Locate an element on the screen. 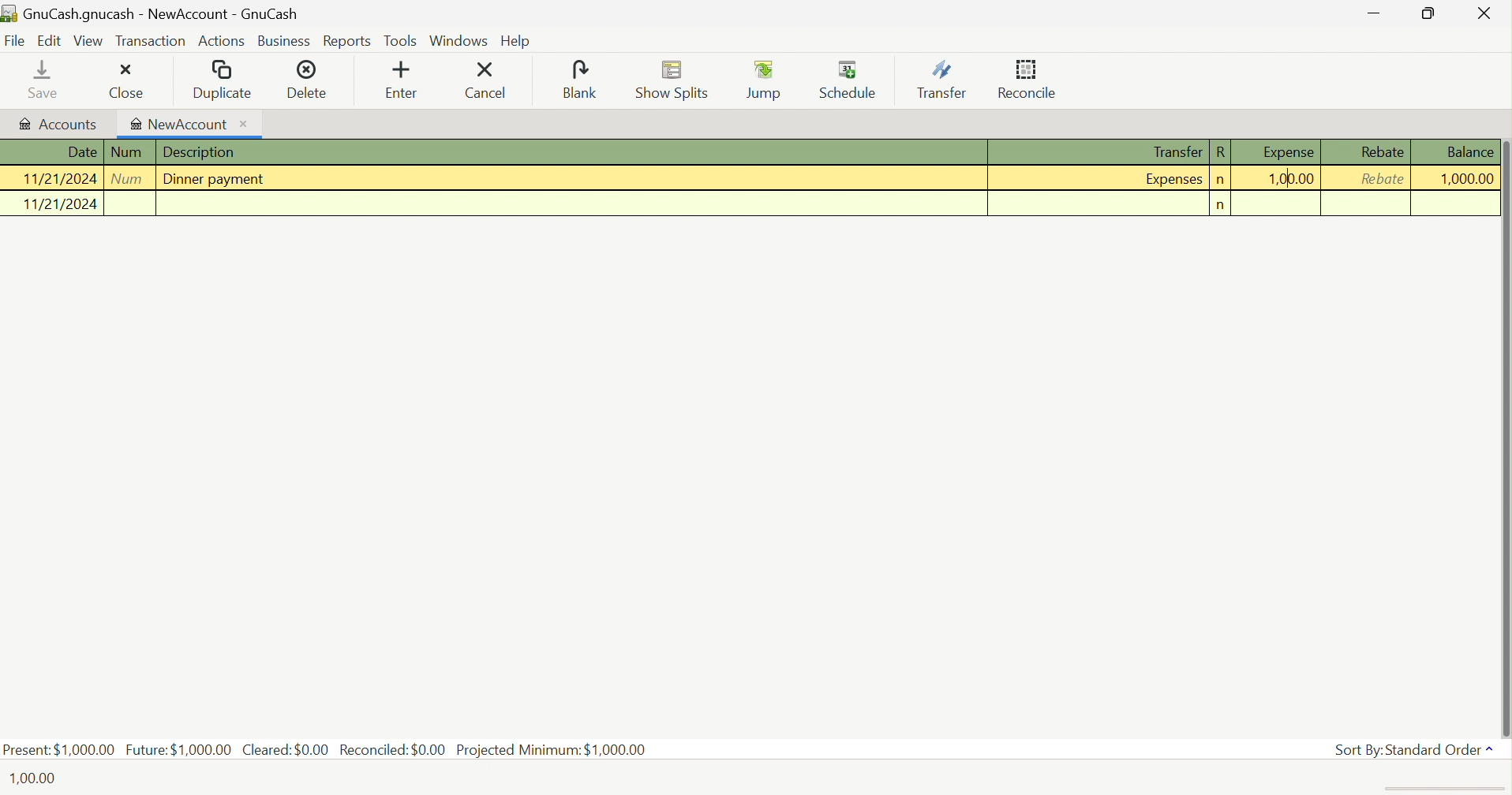 The image size is (1512, 795). Sort By: Standard Order is located at coordinates (1415, 748).